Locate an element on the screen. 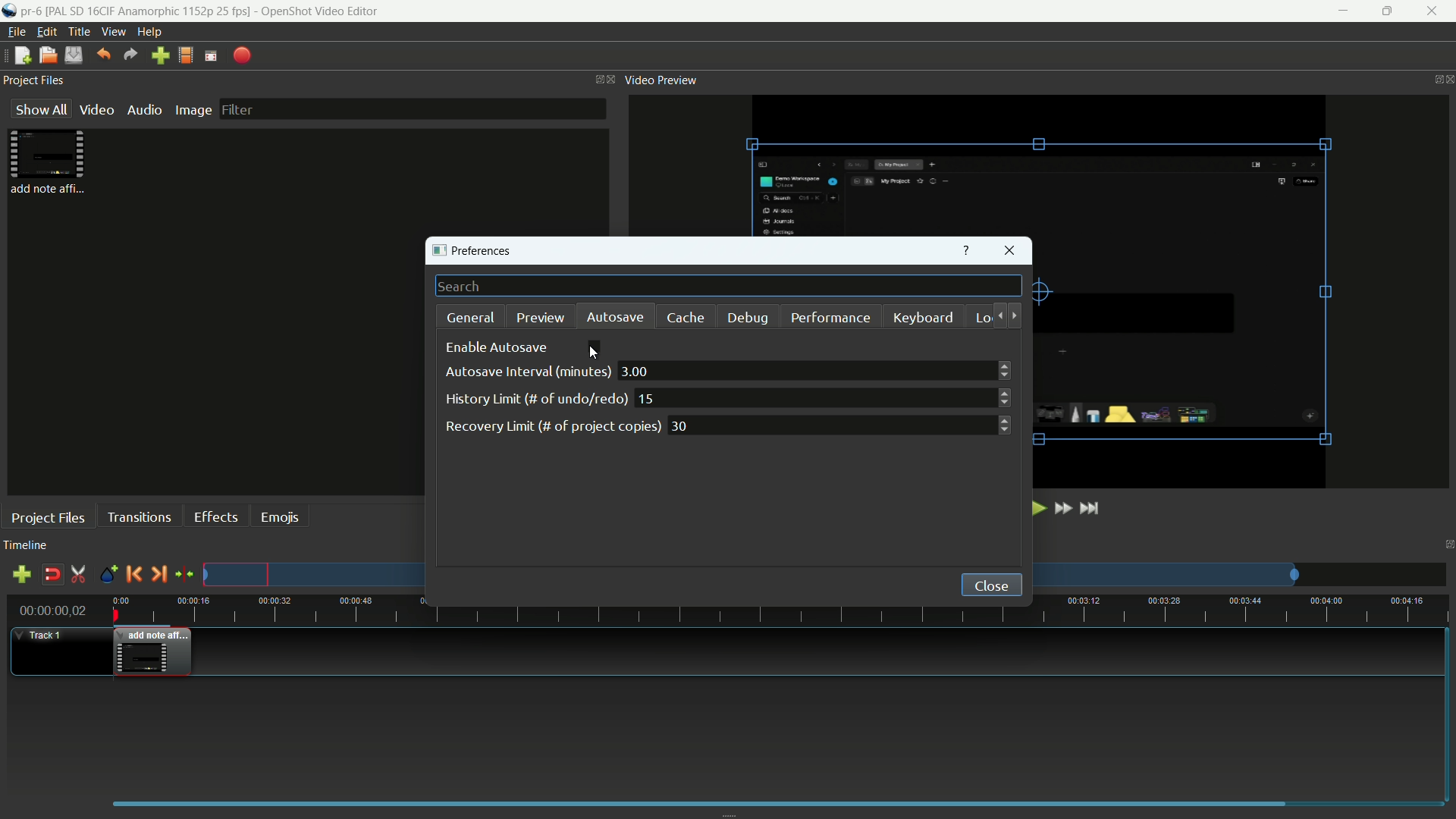 The image size is (1456, 819). cache is located at coordinates (685, 318).